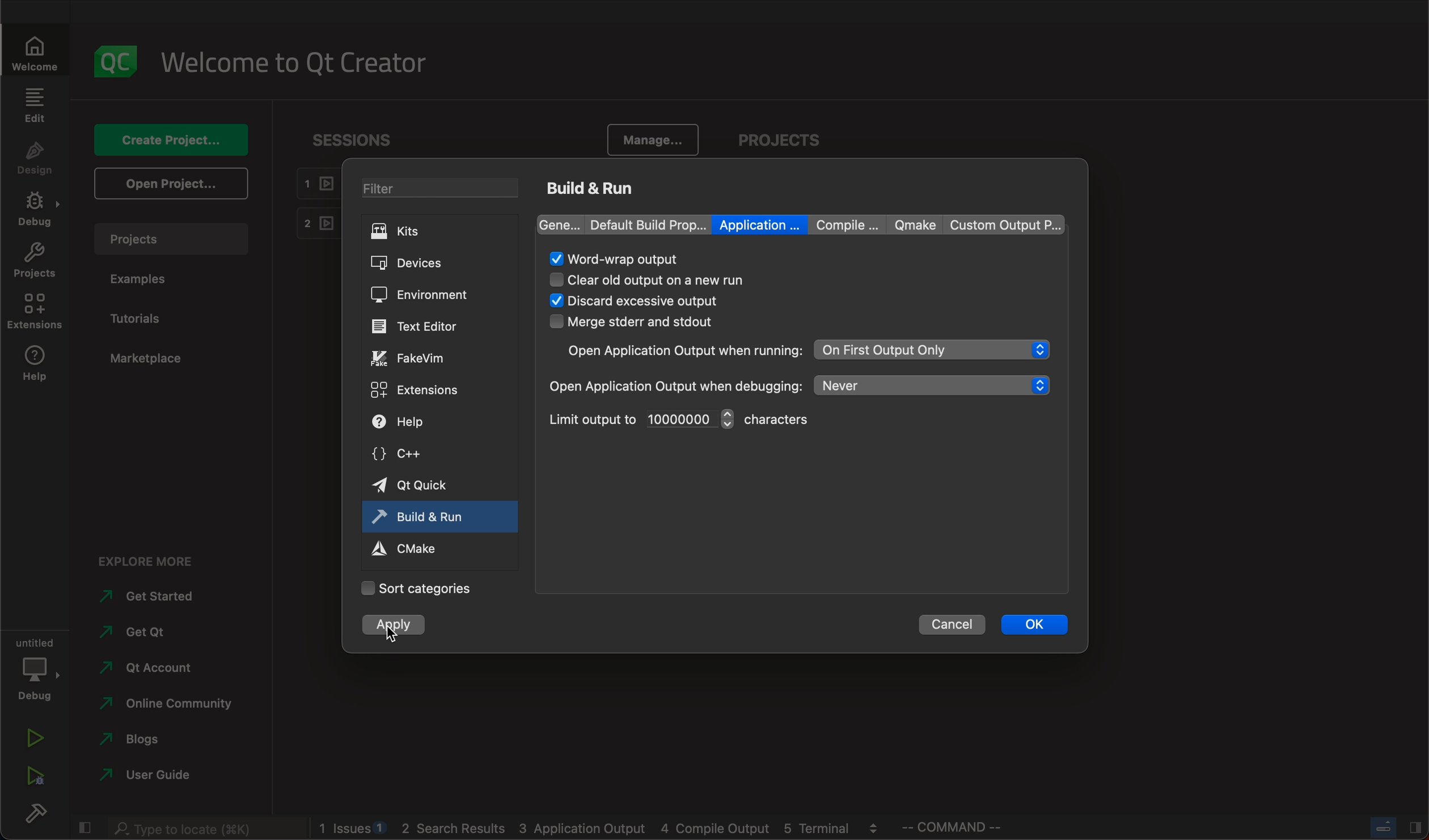  What do you see at coordinates (33, 670) in the screenshot?
I see `debug` at bounding box center [33, 670].